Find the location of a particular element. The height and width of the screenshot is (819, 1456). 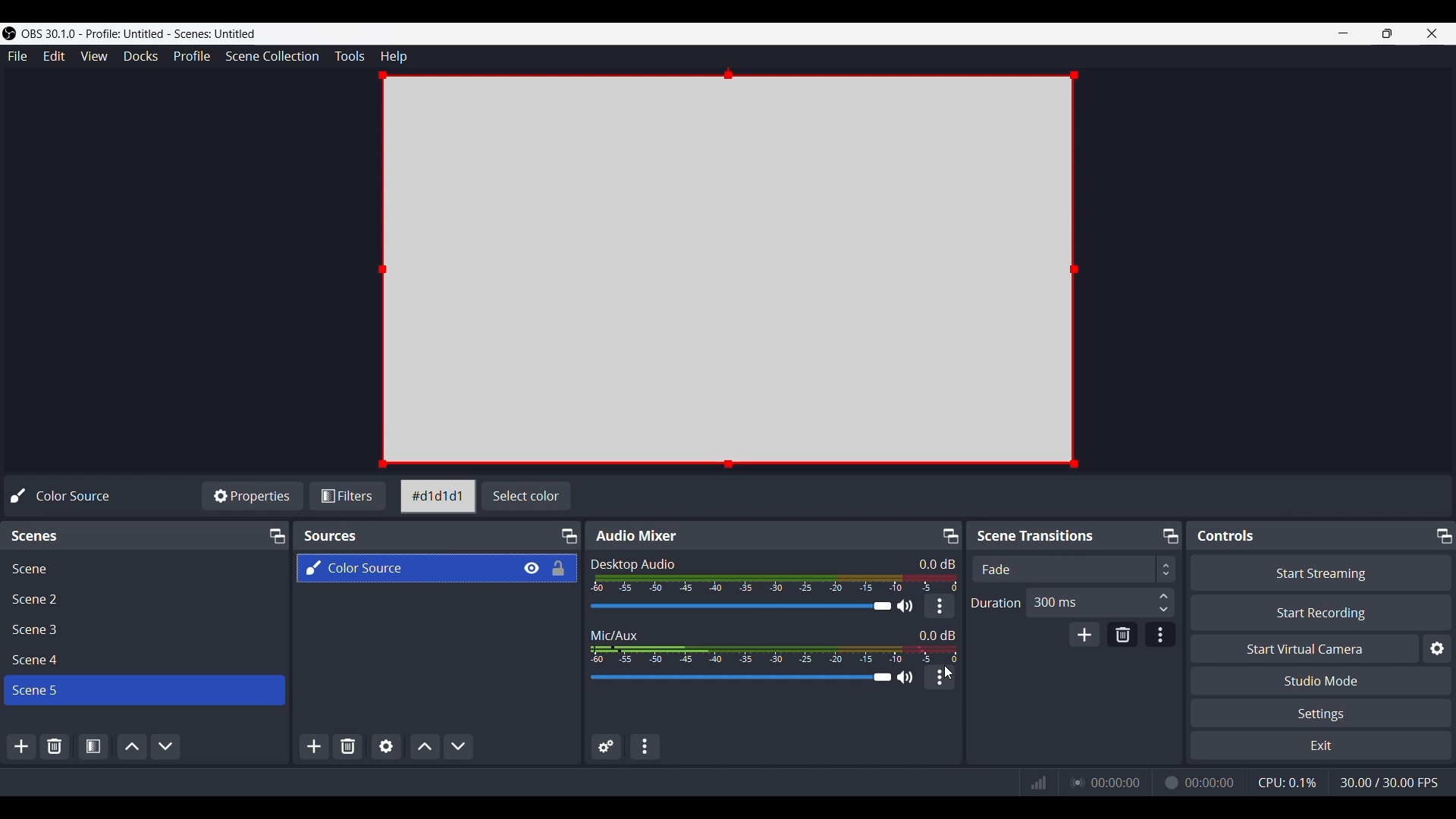

Recording is located at coordinates (1169, 782).